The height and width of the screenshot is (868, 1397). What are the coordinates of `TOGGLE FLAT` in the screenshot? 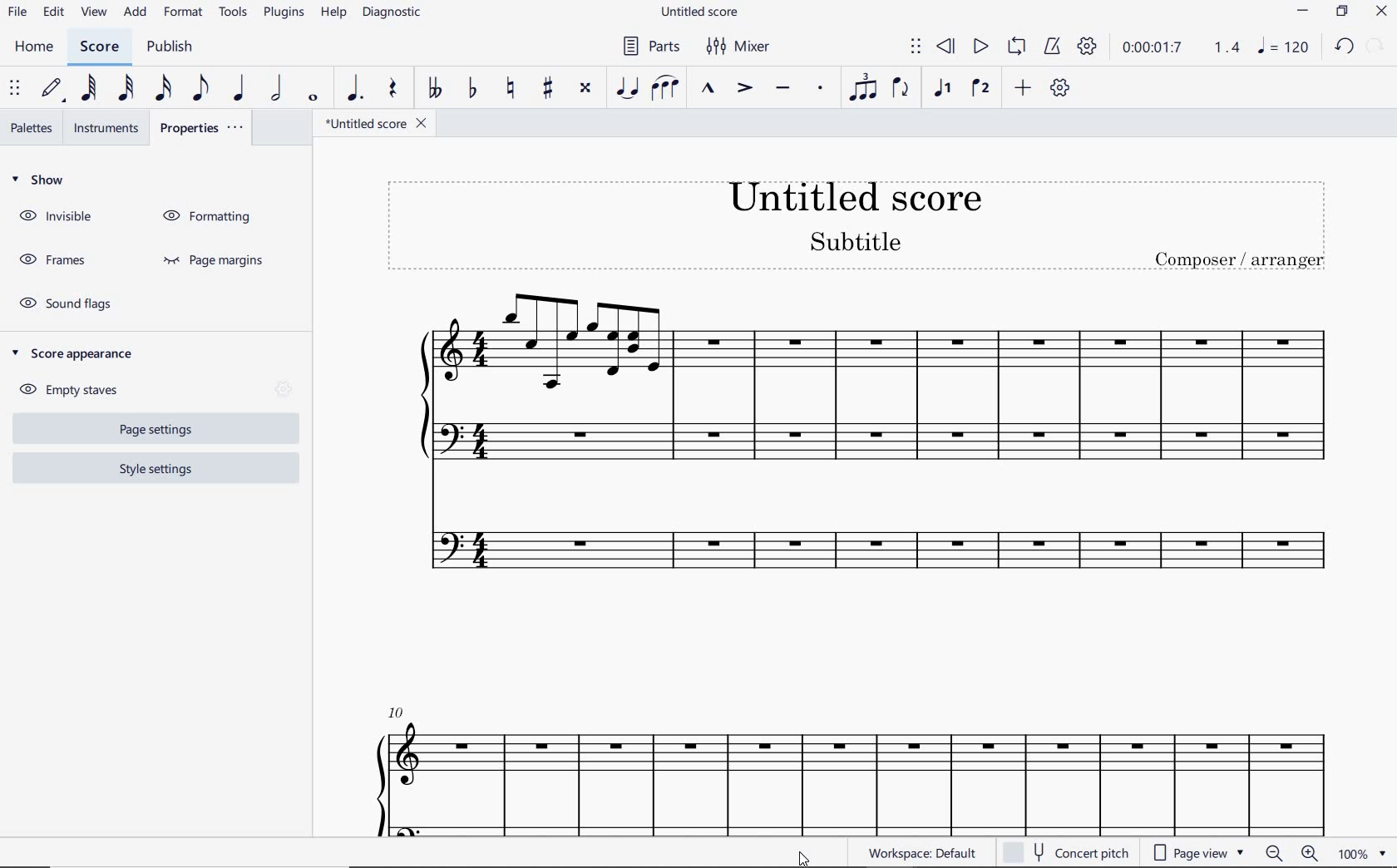 It's located at (471, 86).